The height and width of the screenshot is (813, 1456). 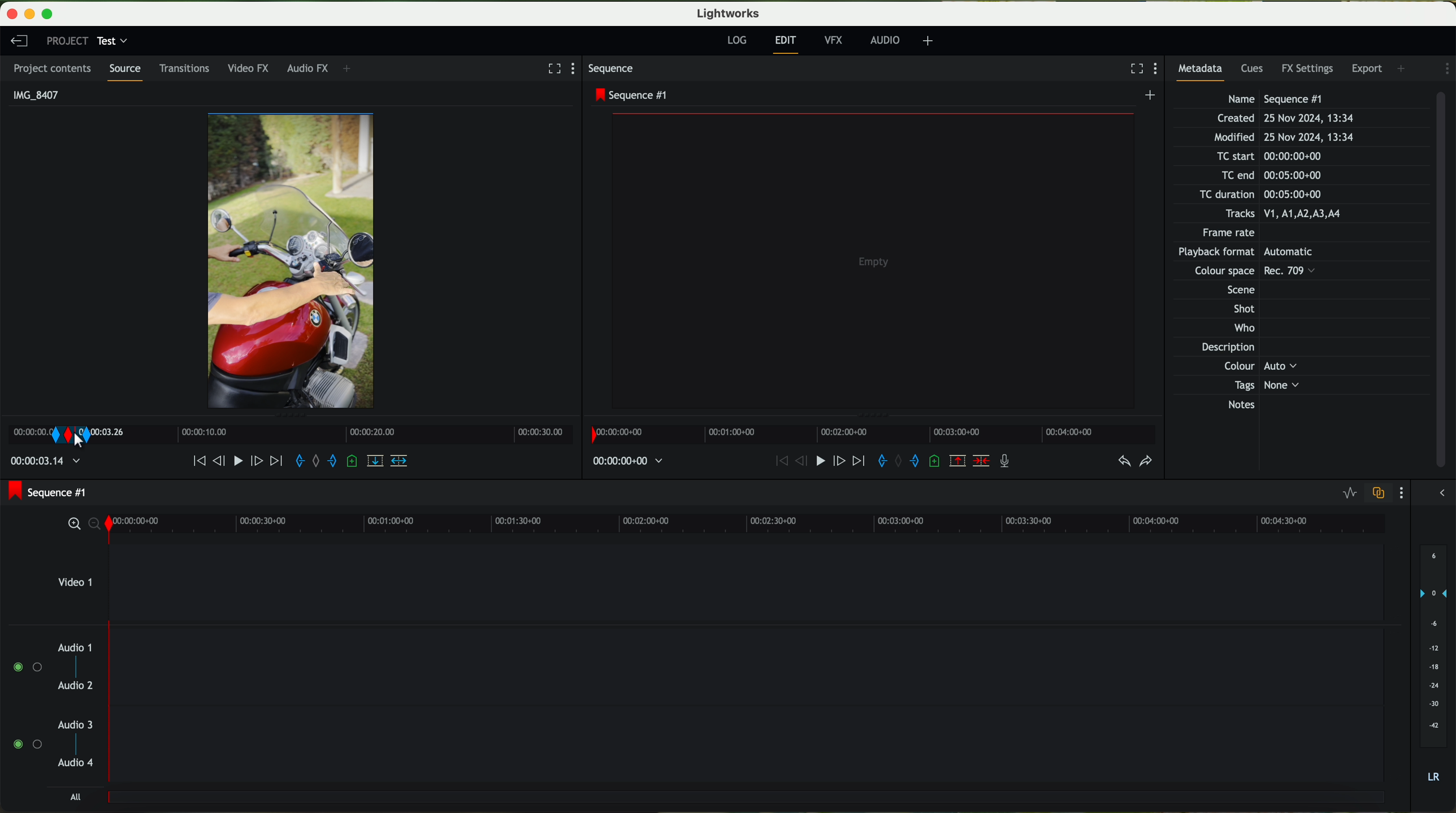 I want to click on Shot, so click(x=1242, y=309).